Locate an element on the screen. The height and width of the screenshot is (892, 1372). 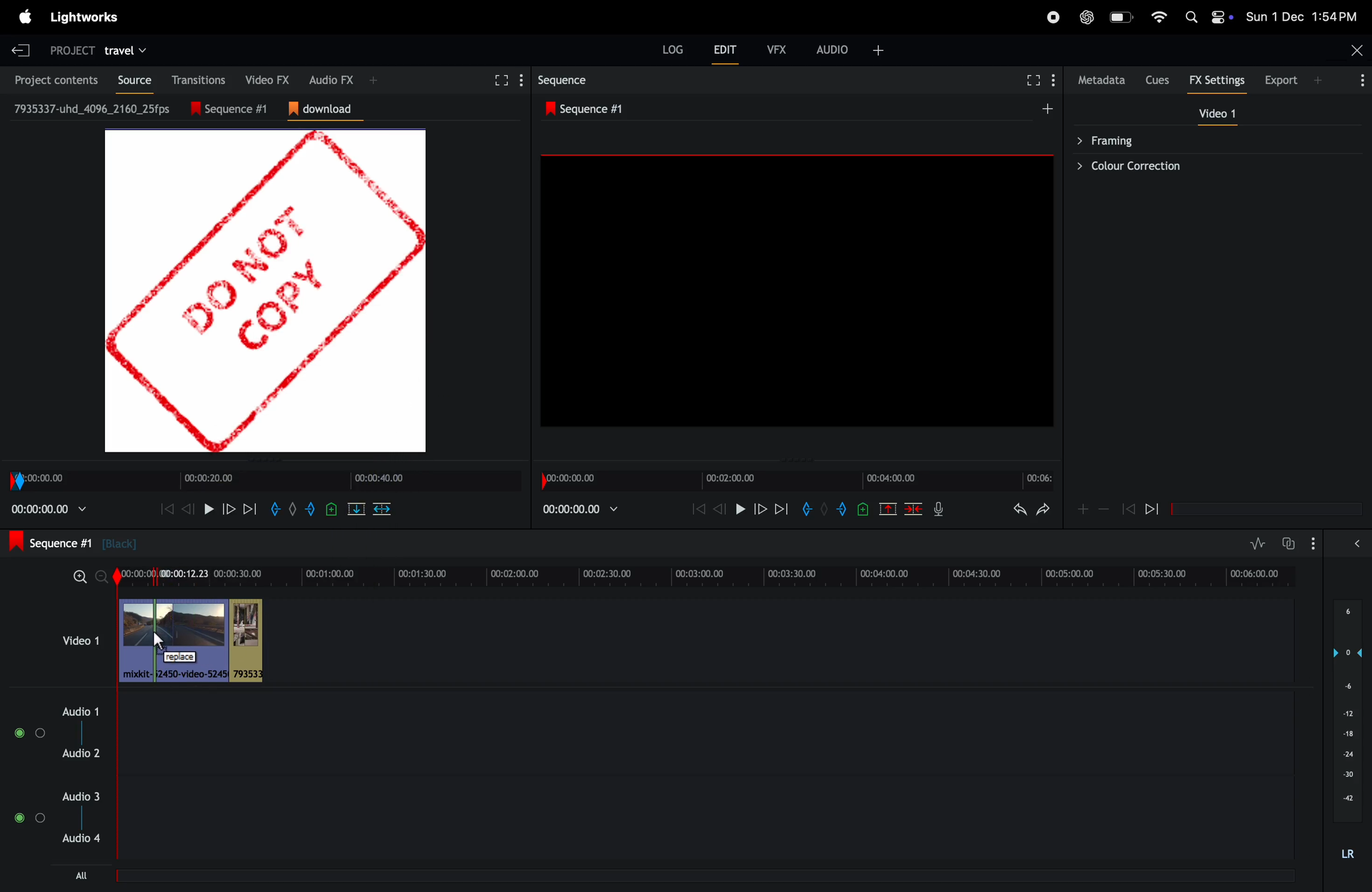
record is located at coordinates (1053, 17).